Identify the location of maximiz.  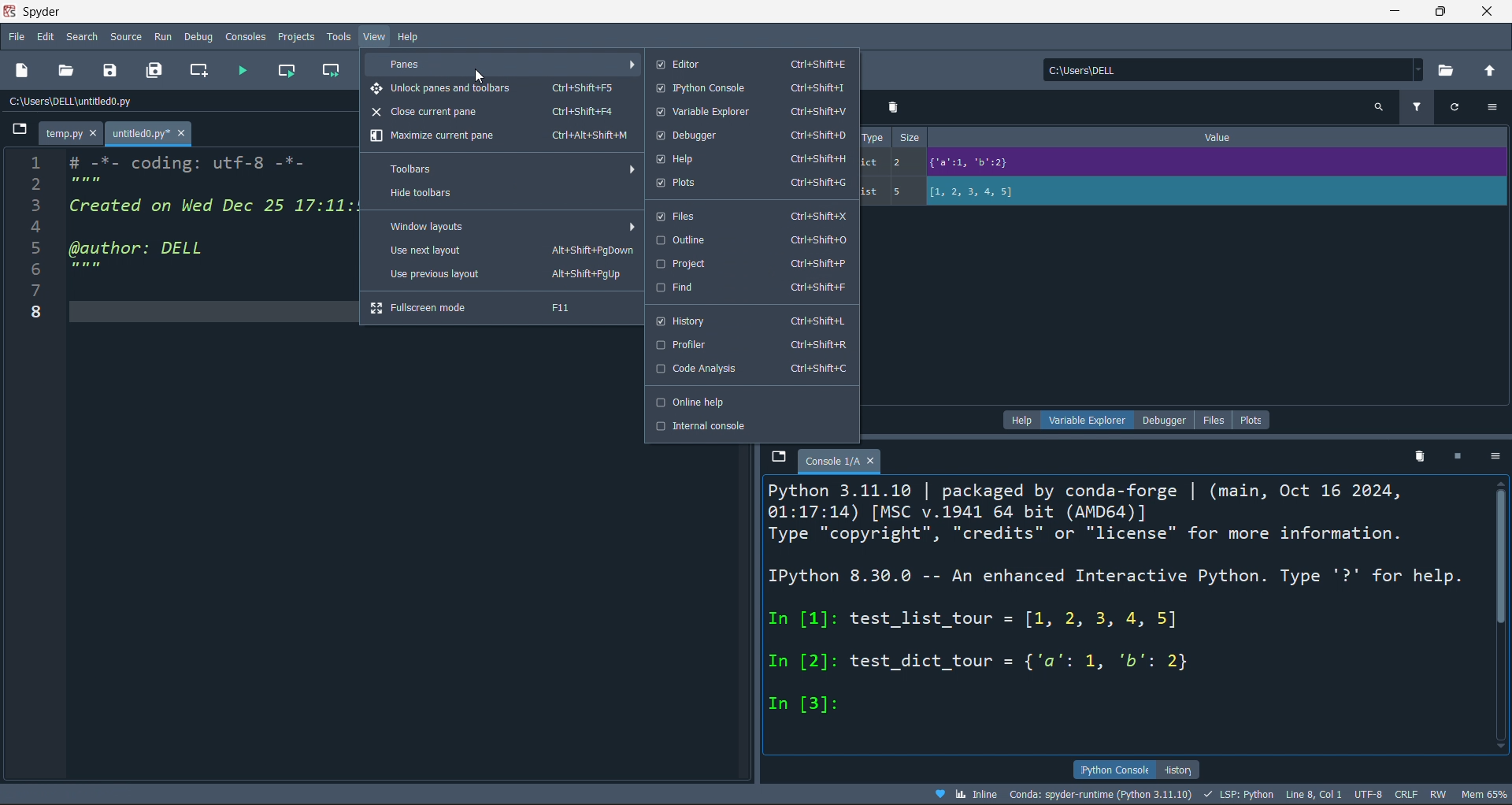
(1444, 12).